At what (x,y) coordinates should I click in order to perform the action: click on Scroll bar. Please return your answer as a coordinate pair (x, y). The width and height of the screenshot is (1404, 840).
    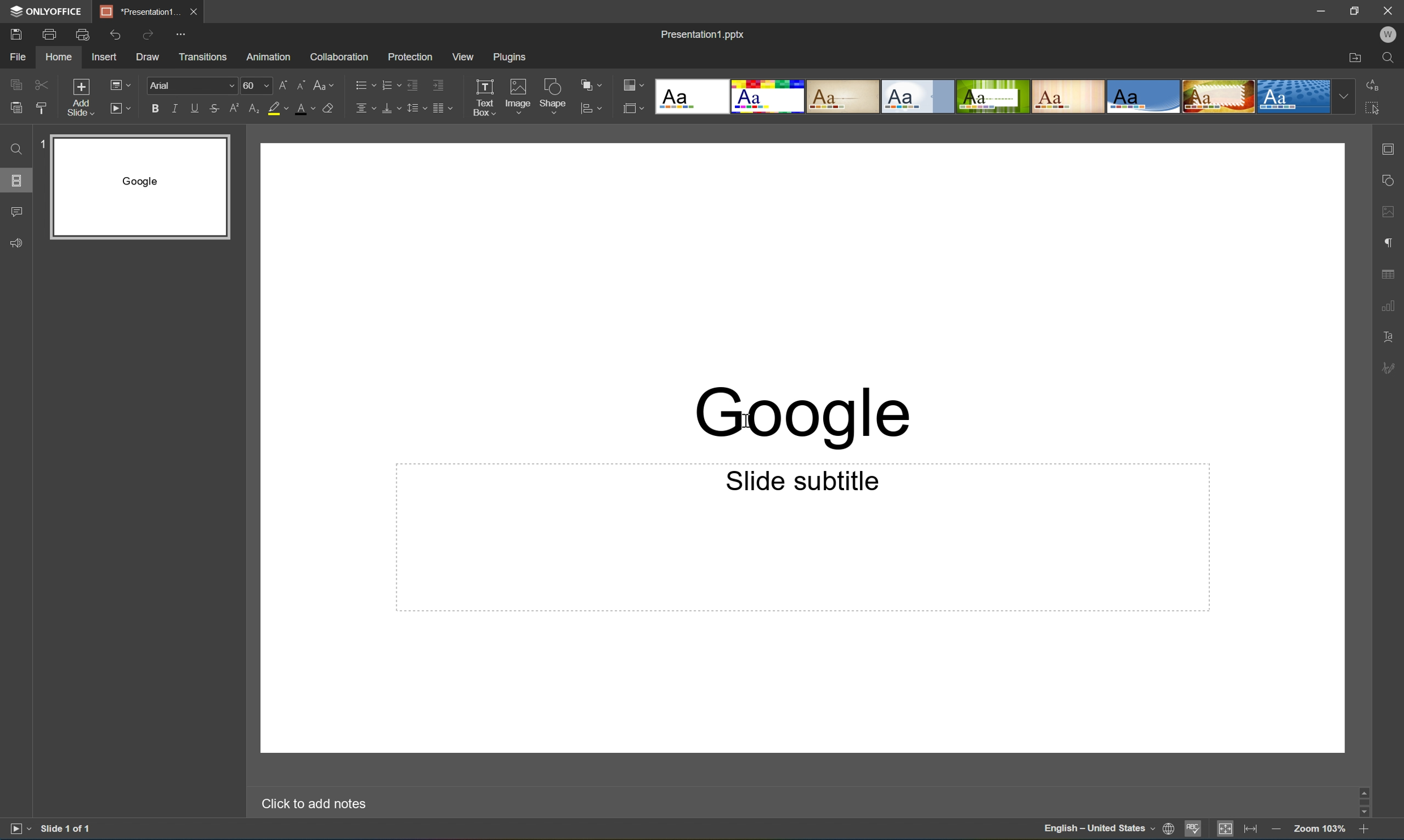
    Looking at the image, I should click on (1364, 801).